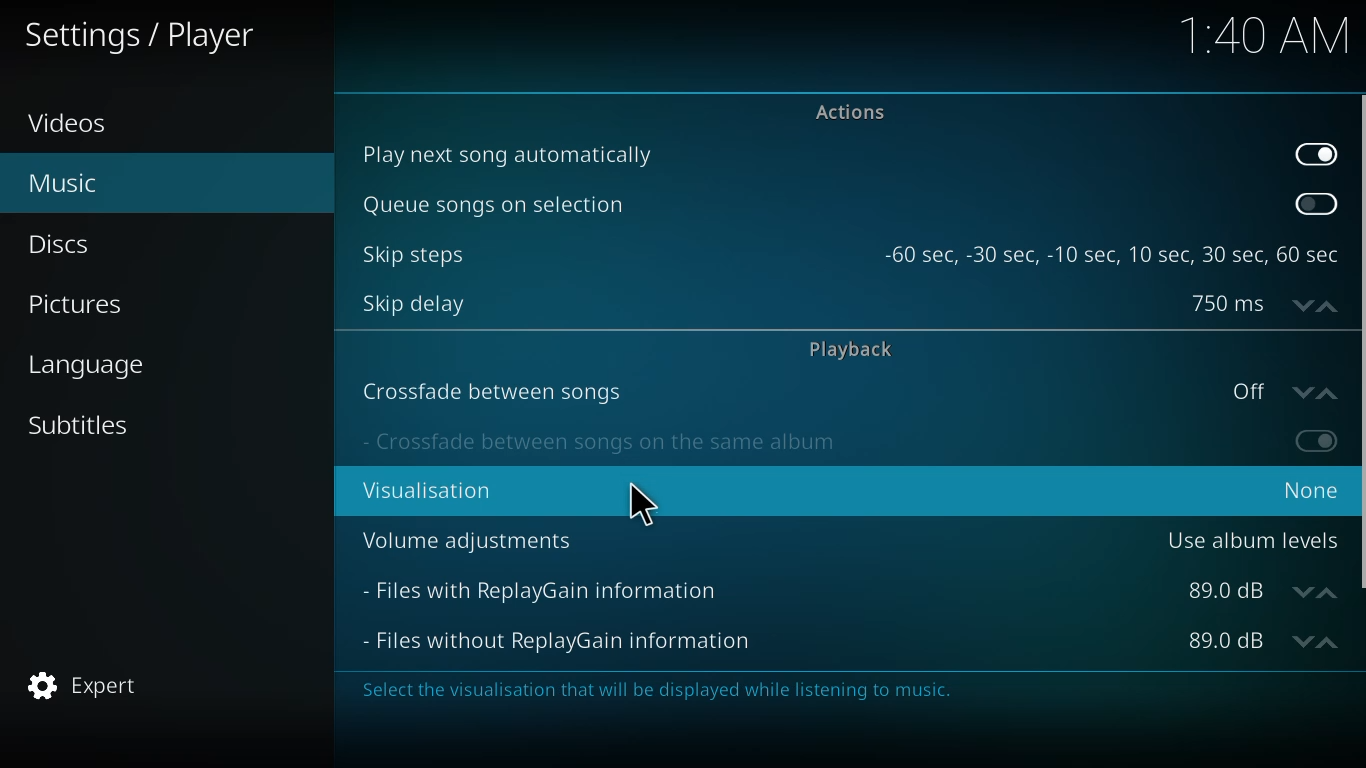 Image resolution: width=1366 pixels, height=768 pixels. I want to click on skip steps, so click(411, 254).